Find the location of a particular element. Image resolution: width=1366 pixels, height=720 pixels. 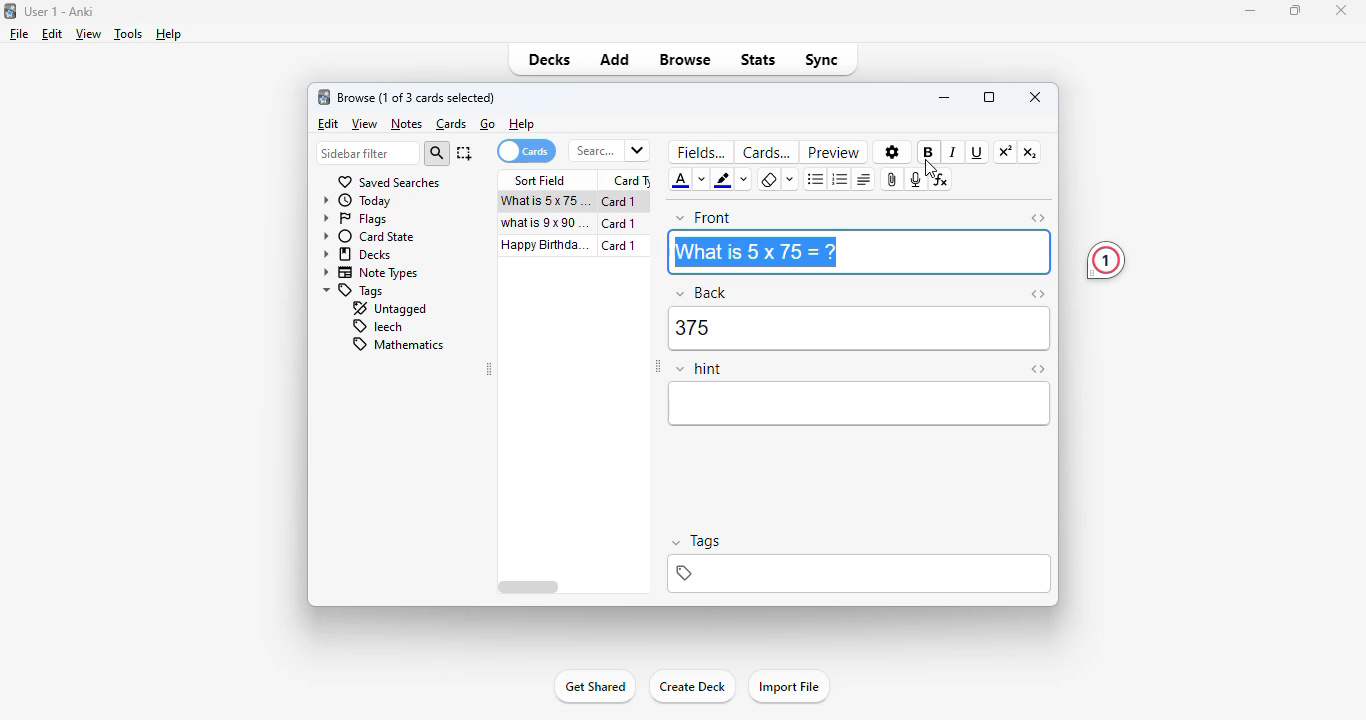

toggle sidebar is located at coordinates (657, 367).